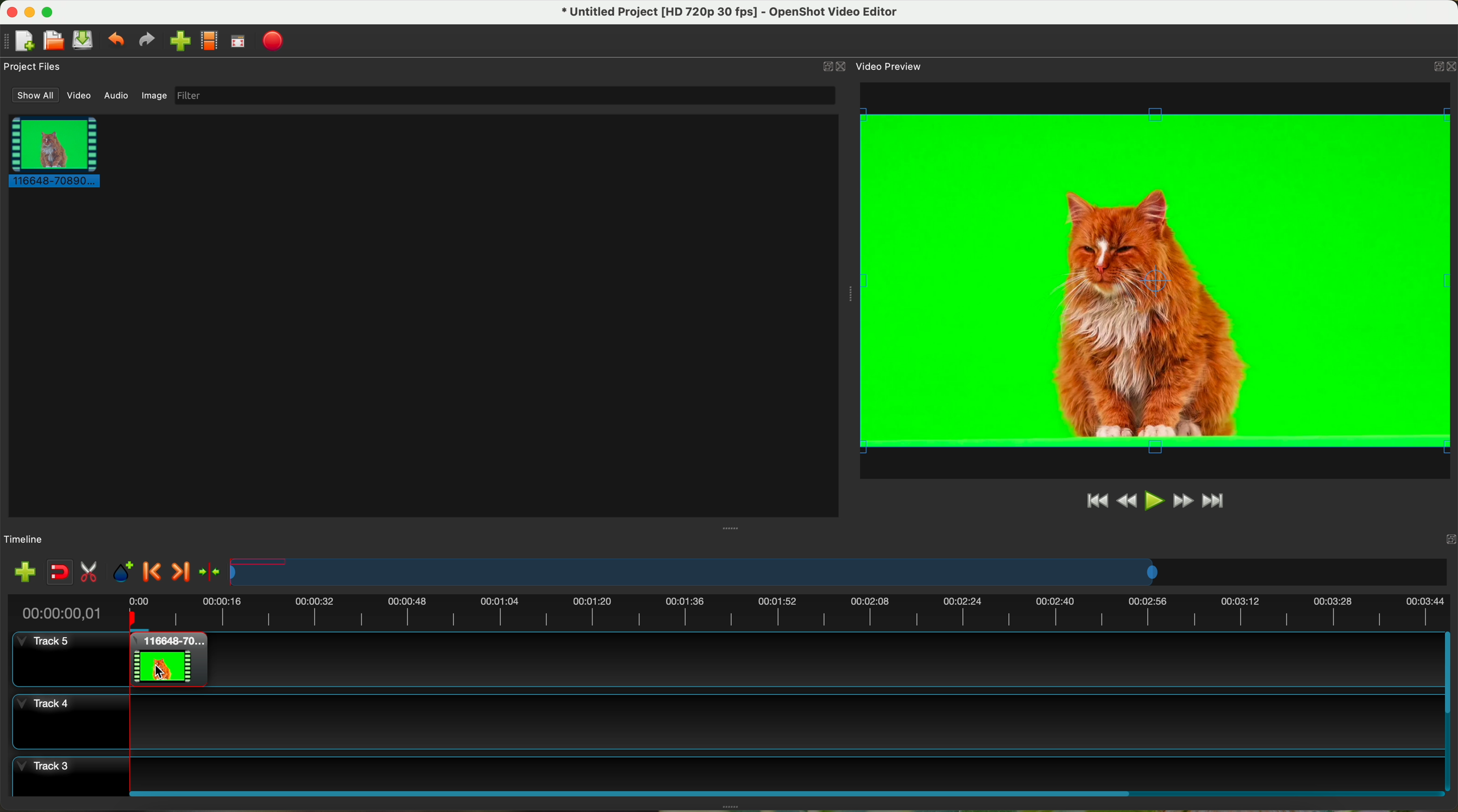  Describe the element at coordinates (89, 573) in the screenshot. I see `enable razor` at that location.